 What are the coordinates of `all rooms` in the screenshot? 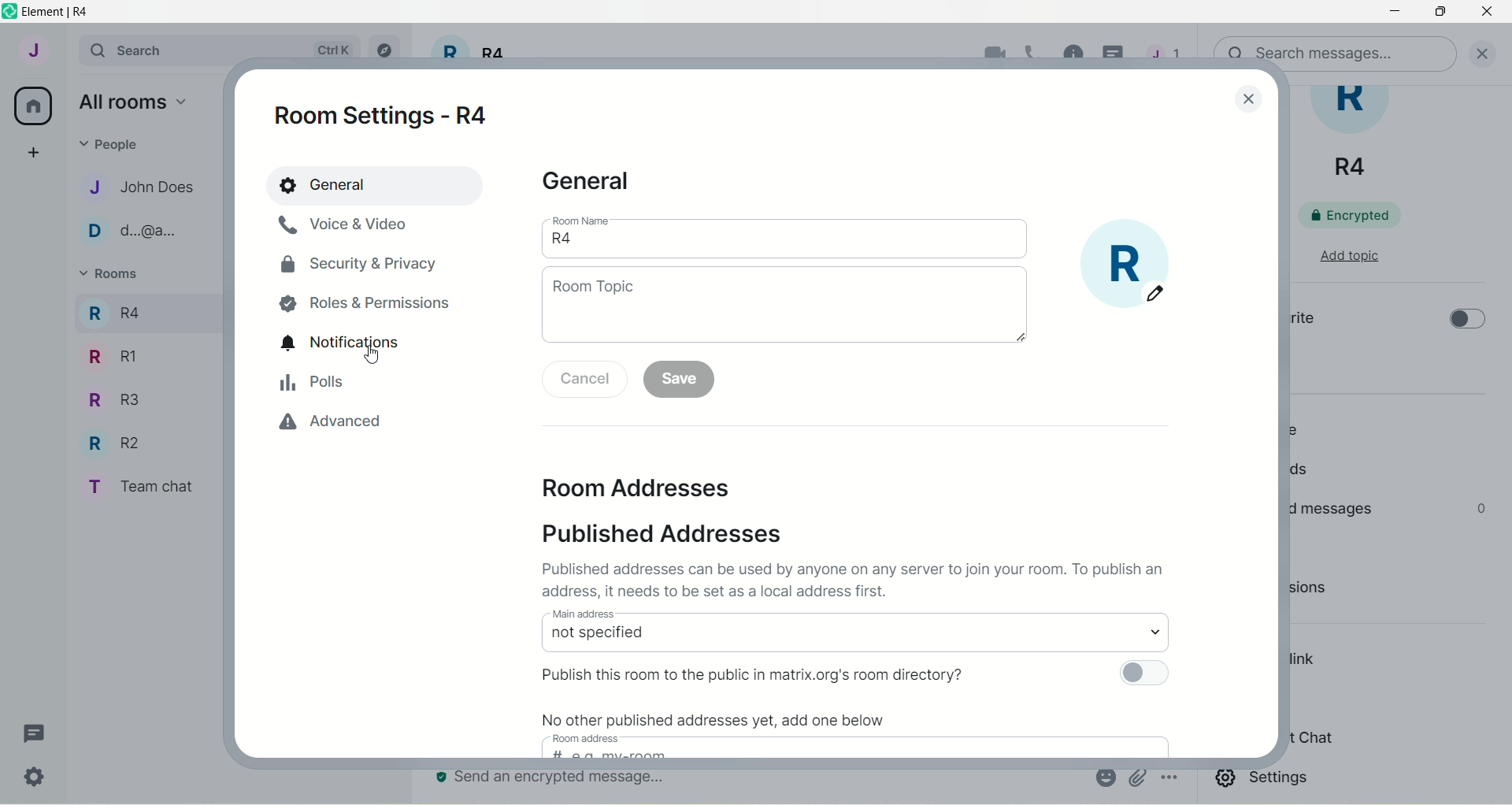 It's located at (34, 106).